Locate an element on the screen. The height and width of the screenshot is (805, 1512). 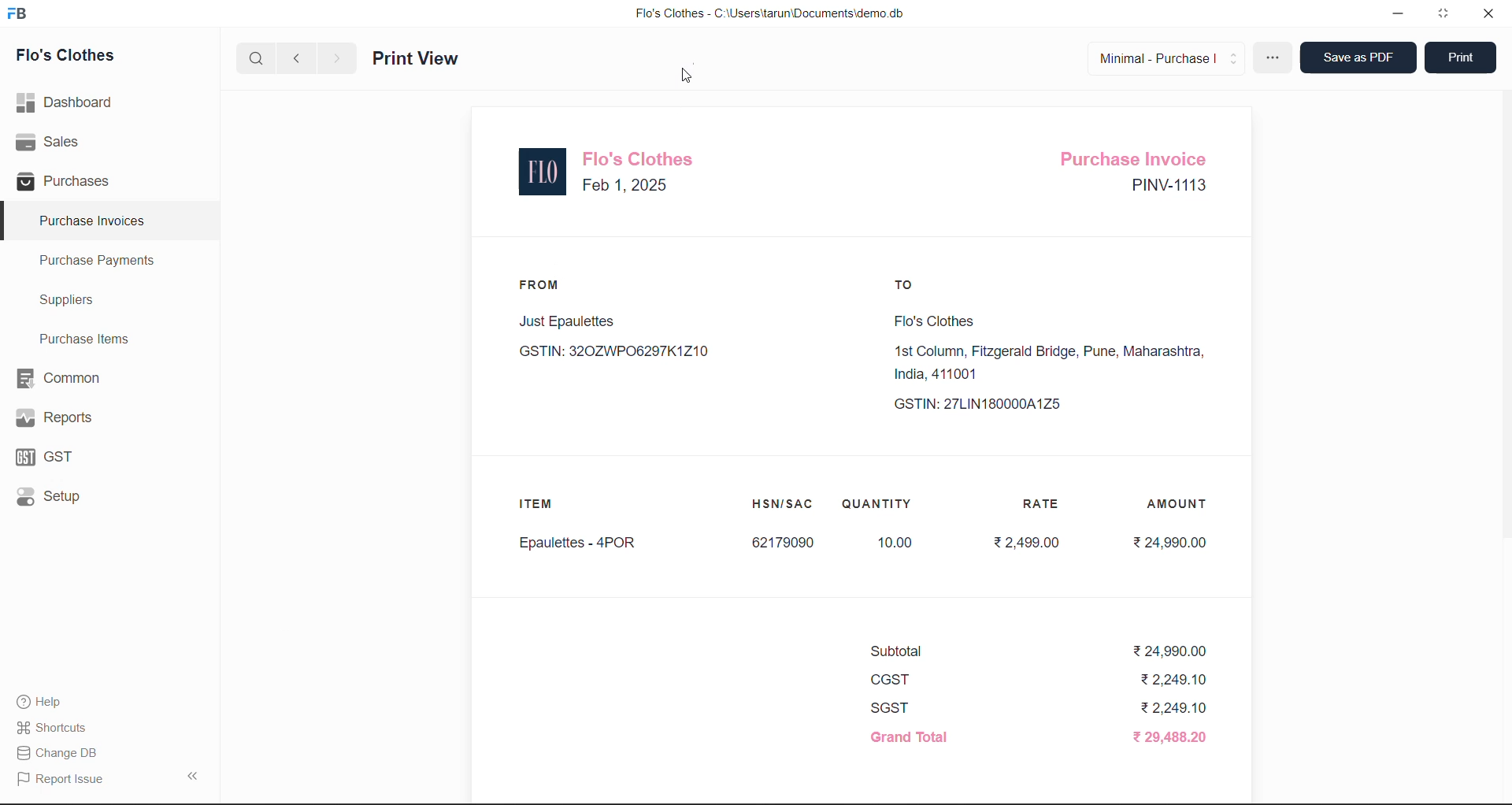
logo is located at coordinates (20, 15).